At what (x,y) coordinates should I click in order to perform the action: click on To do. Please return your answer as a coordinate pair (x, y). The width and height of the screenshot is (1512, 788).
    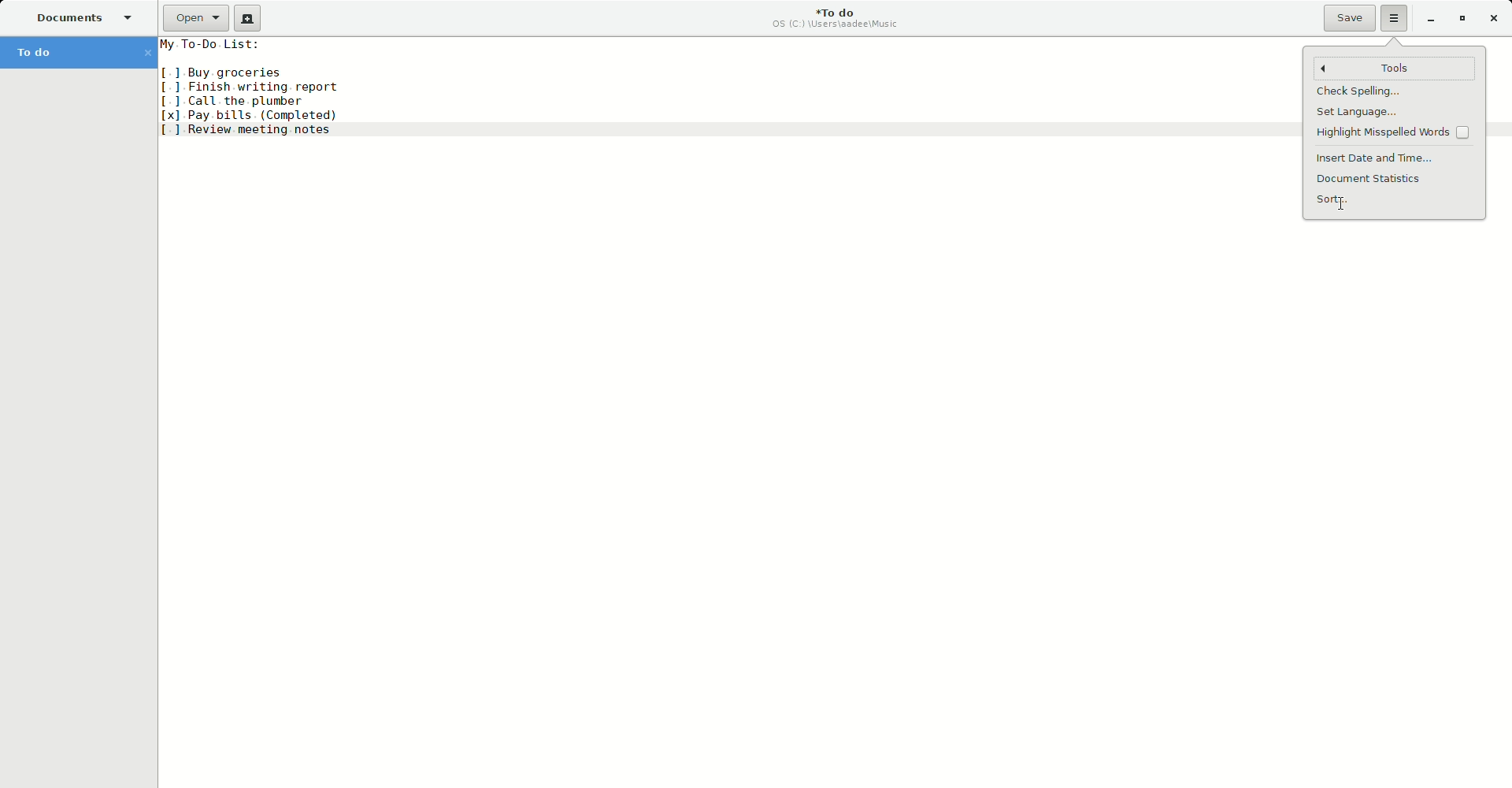
    Looking at the image, I should click on (83, 53).